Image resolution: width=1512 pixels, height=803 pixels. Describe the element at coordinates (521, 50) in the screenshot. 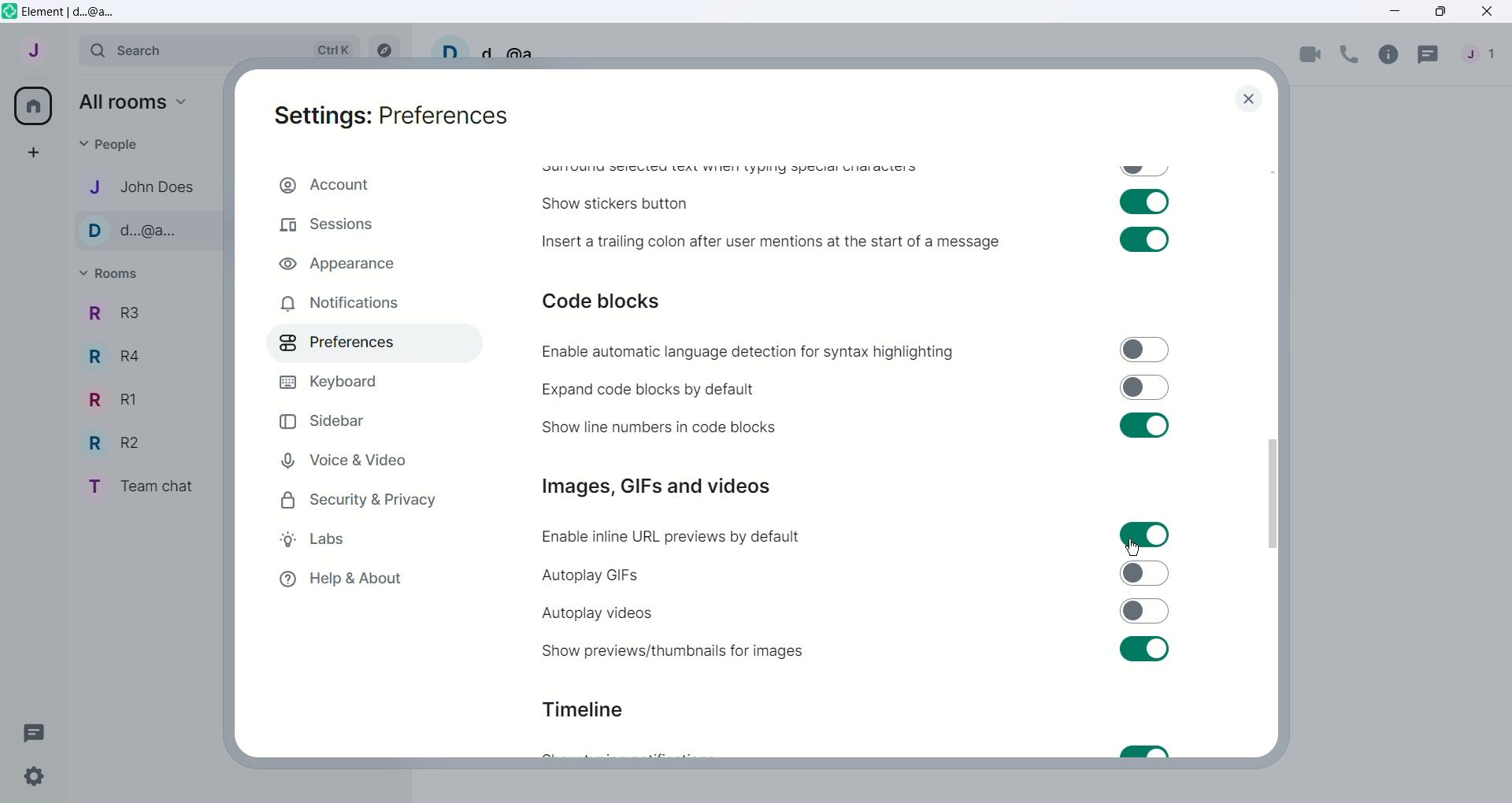

I see `d...@a...` at that location.